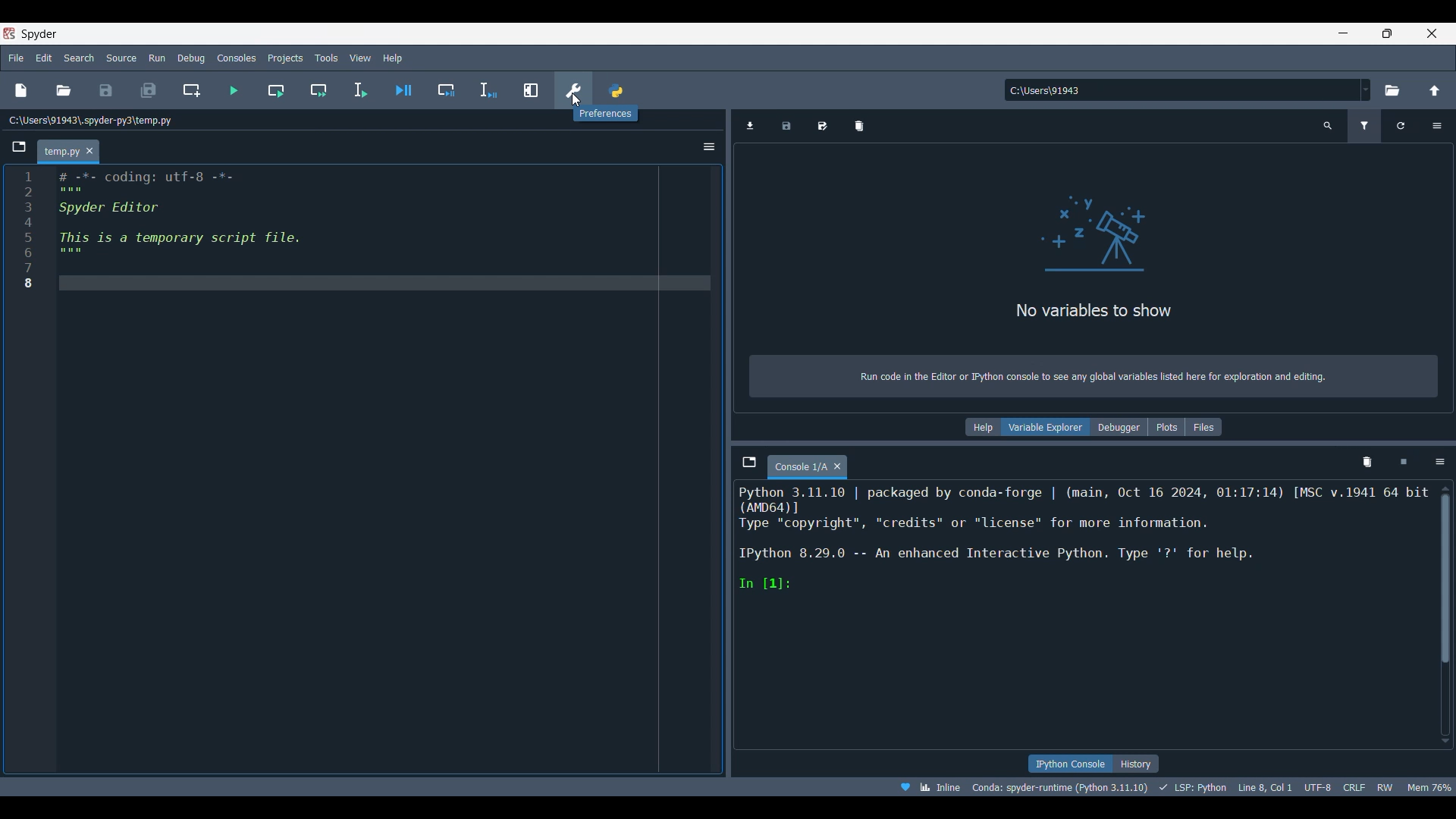  What do you see at coordinates (319, 90) in the screenshot?
I see `Run current cell and go to next` at bounding box center [319, 90].